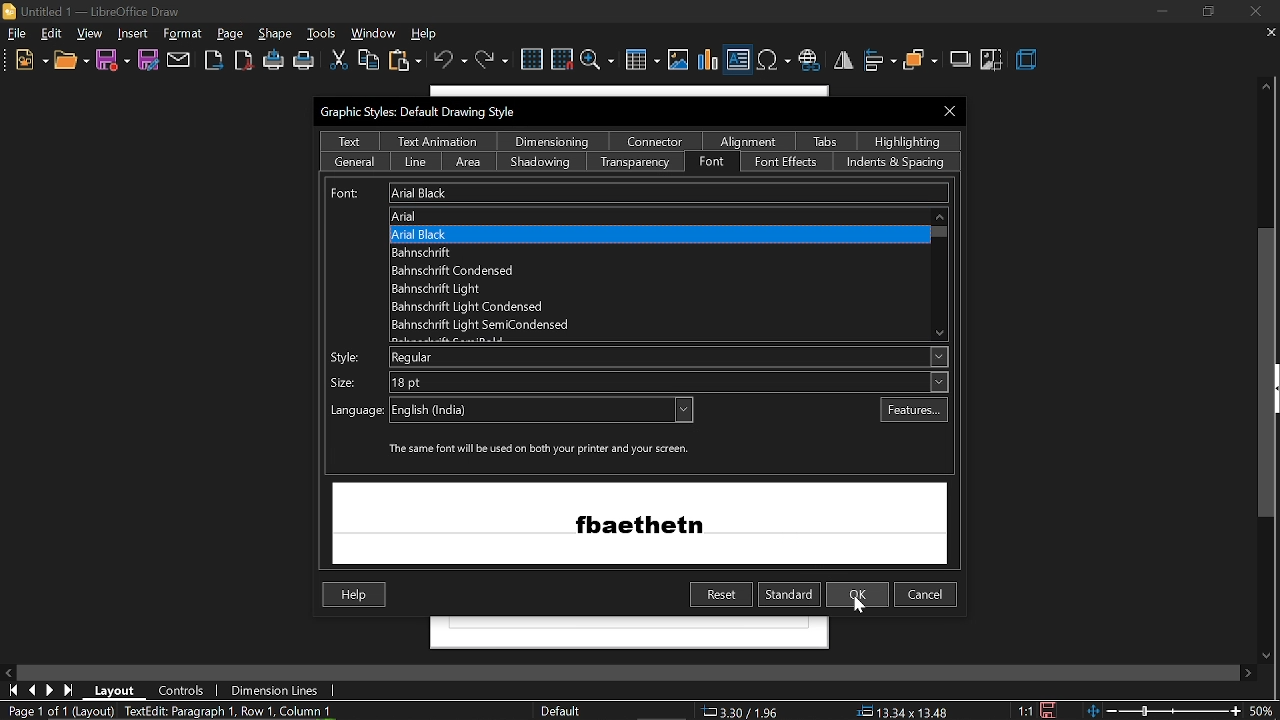 The width and height of the screenshot is (1280, 720). I want to click on Help, so click(352, 594).